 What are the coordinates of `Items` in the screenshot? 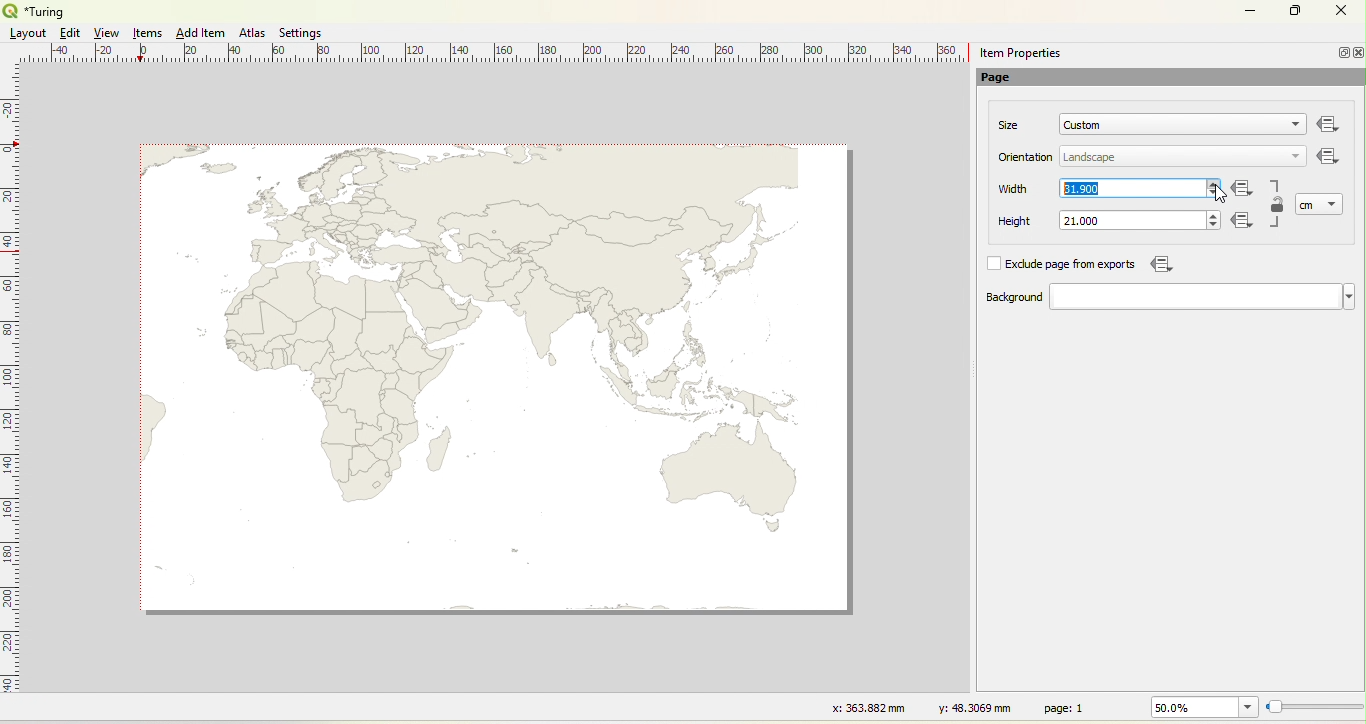 It's located at (149, 34).